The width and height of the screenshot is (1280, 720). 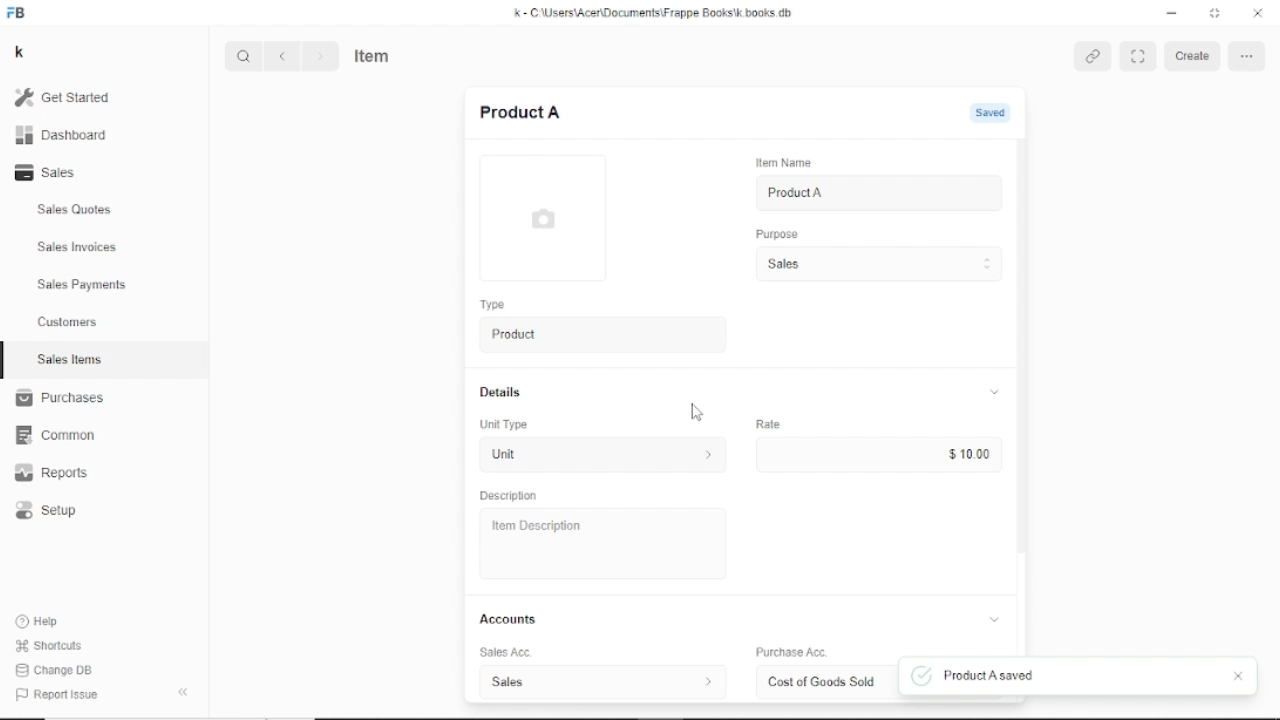 I want to click on Sales Payments, so click(x=83, y=284).